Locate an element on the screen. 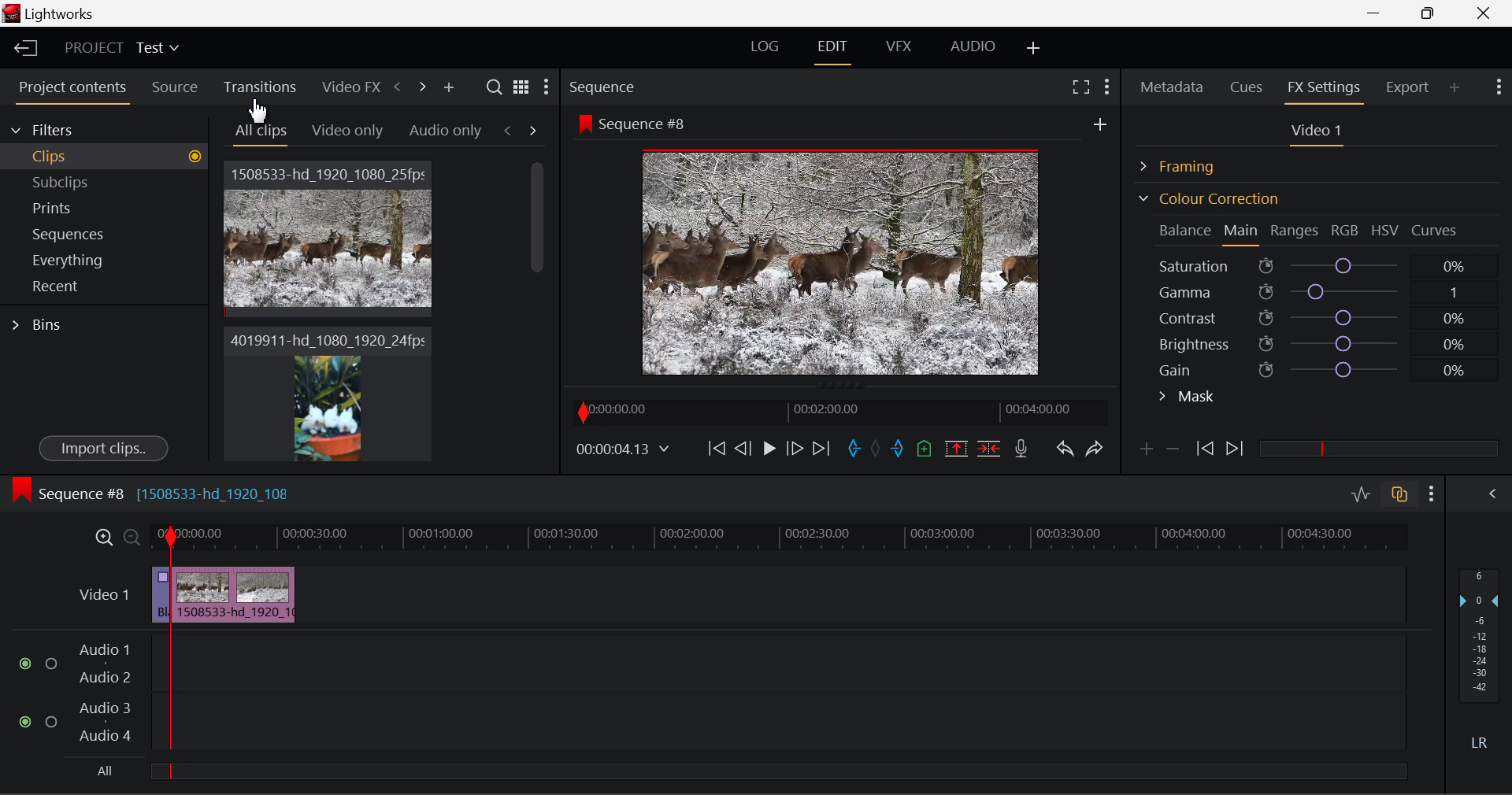 The width and height of the screenshot is (1512, 795). Decibel Gain is located at coordinates (1478, 663).